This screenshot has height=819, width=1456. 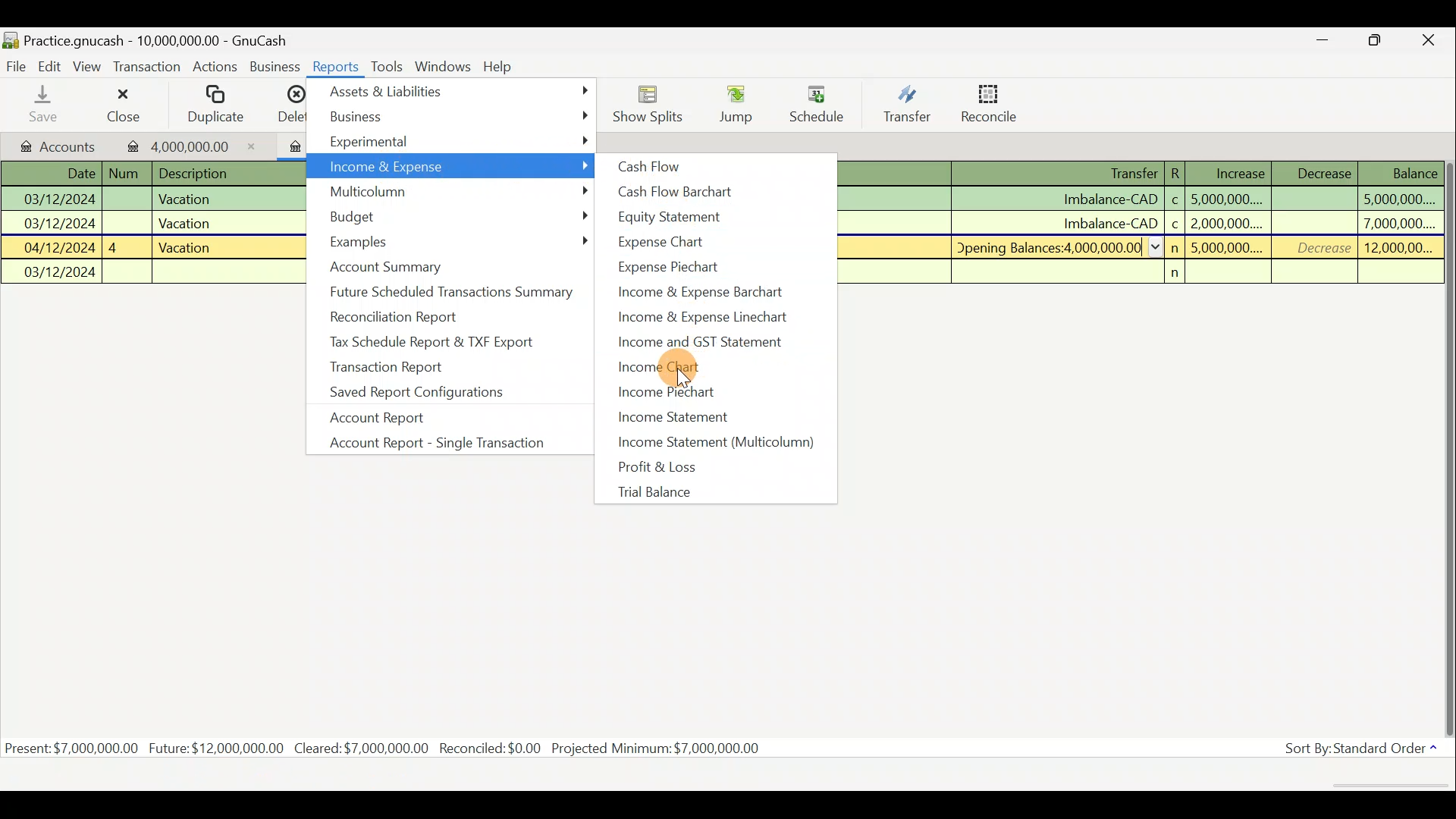 I want to click on Maximize, so click(x=1373, y=42).